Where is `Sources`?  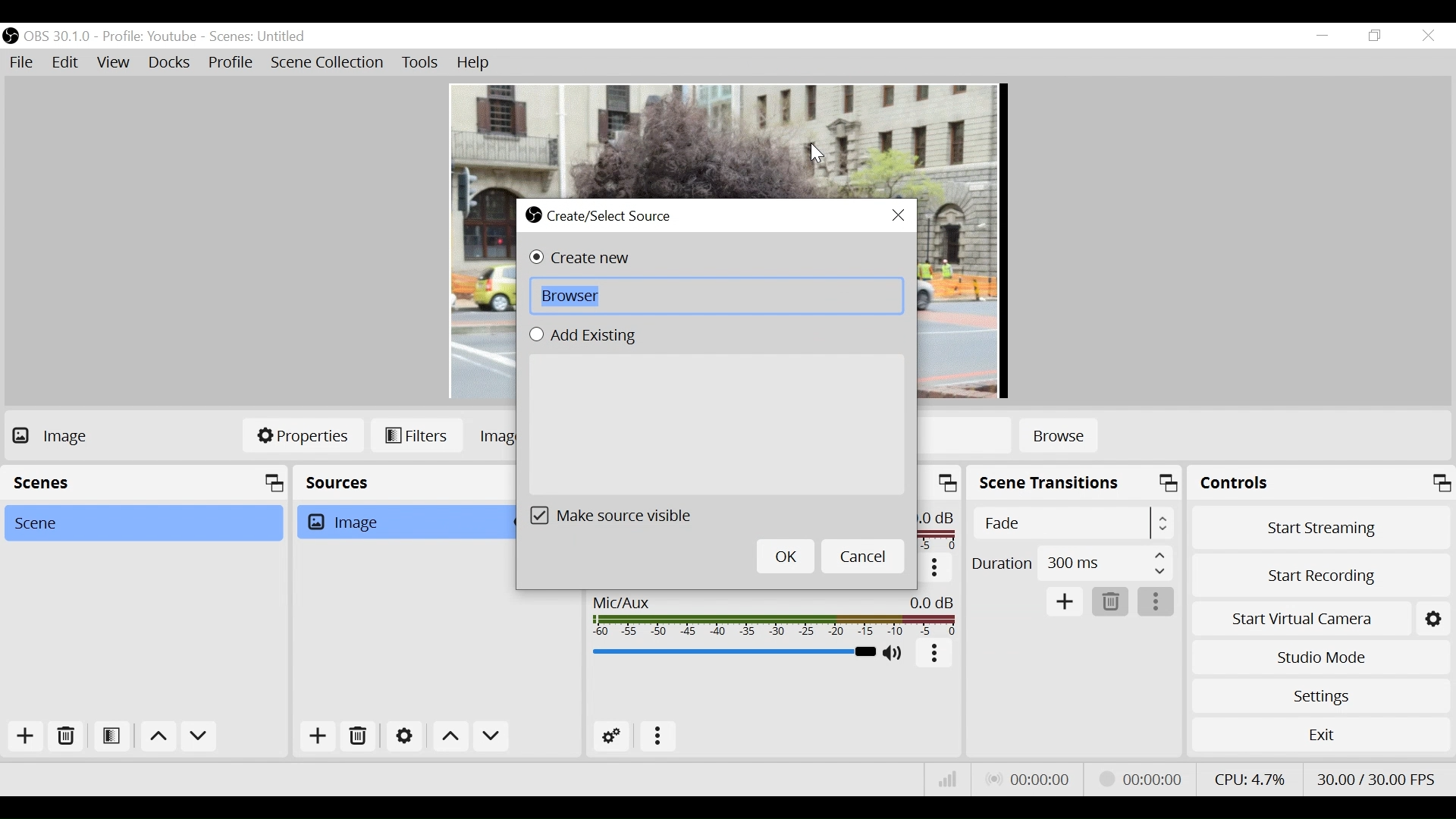
Sources is located at coordinates (363, 485).